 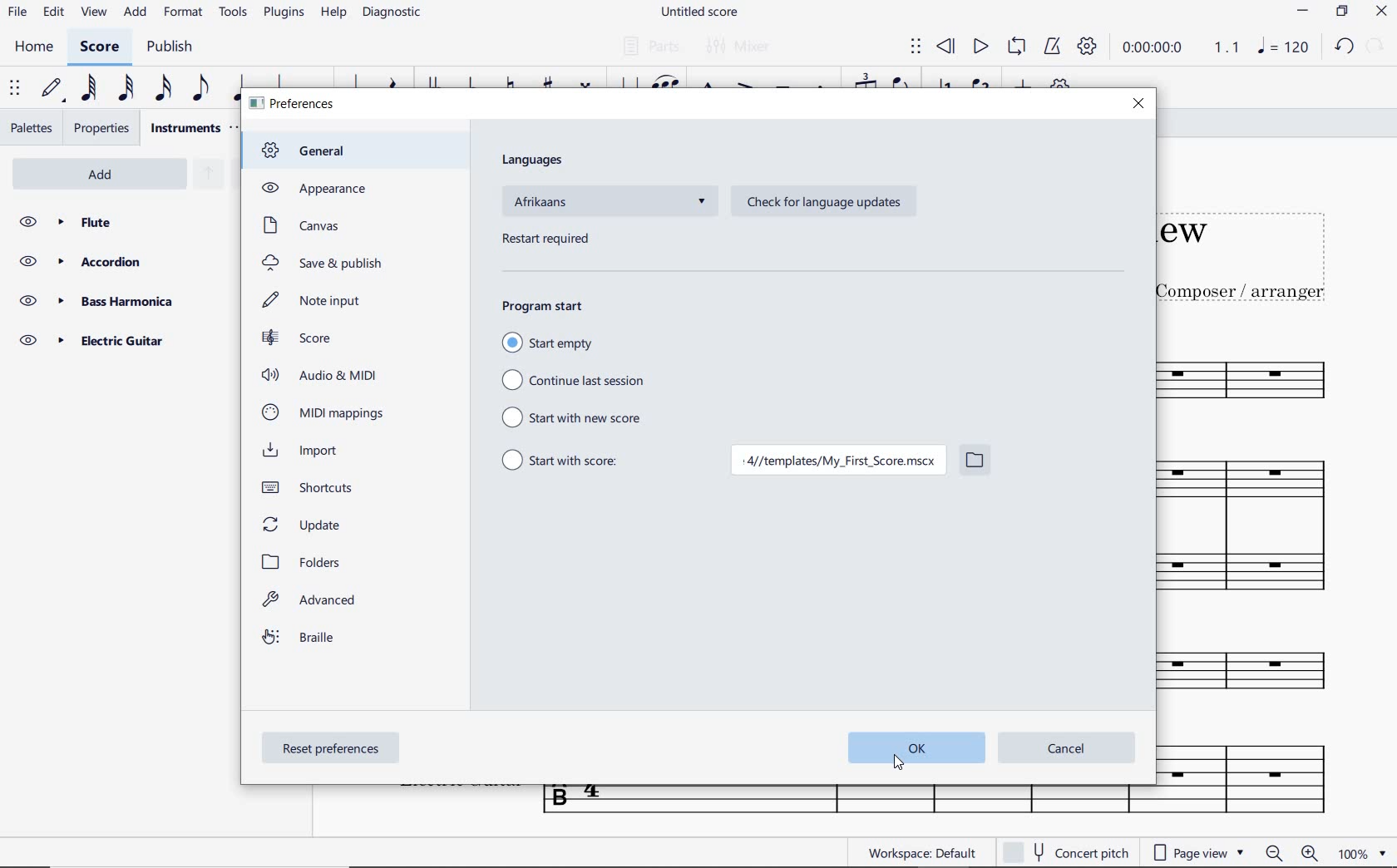 What do you see at coordinates (323, 412) in the screenshot?
I see `MIDI mappings` at bounding box center [323, 412].